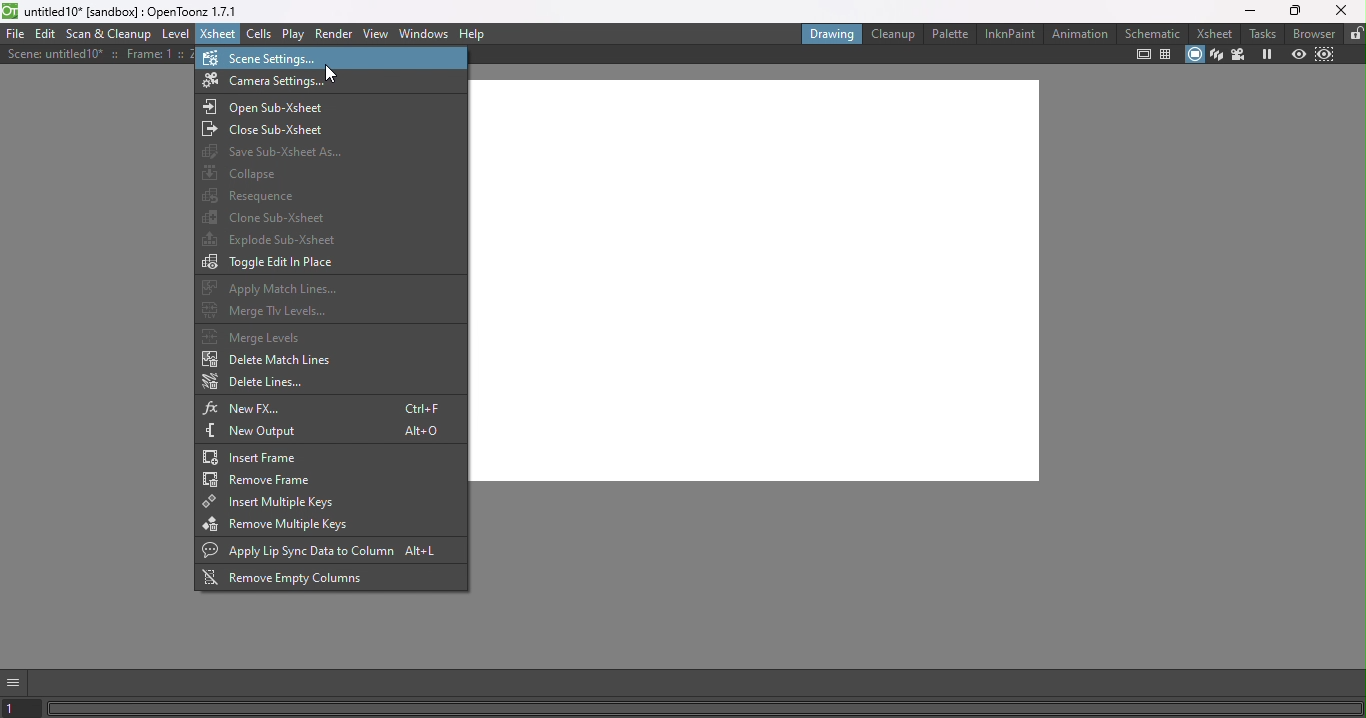  I want to click on Merge Levels, so click(257, 338).